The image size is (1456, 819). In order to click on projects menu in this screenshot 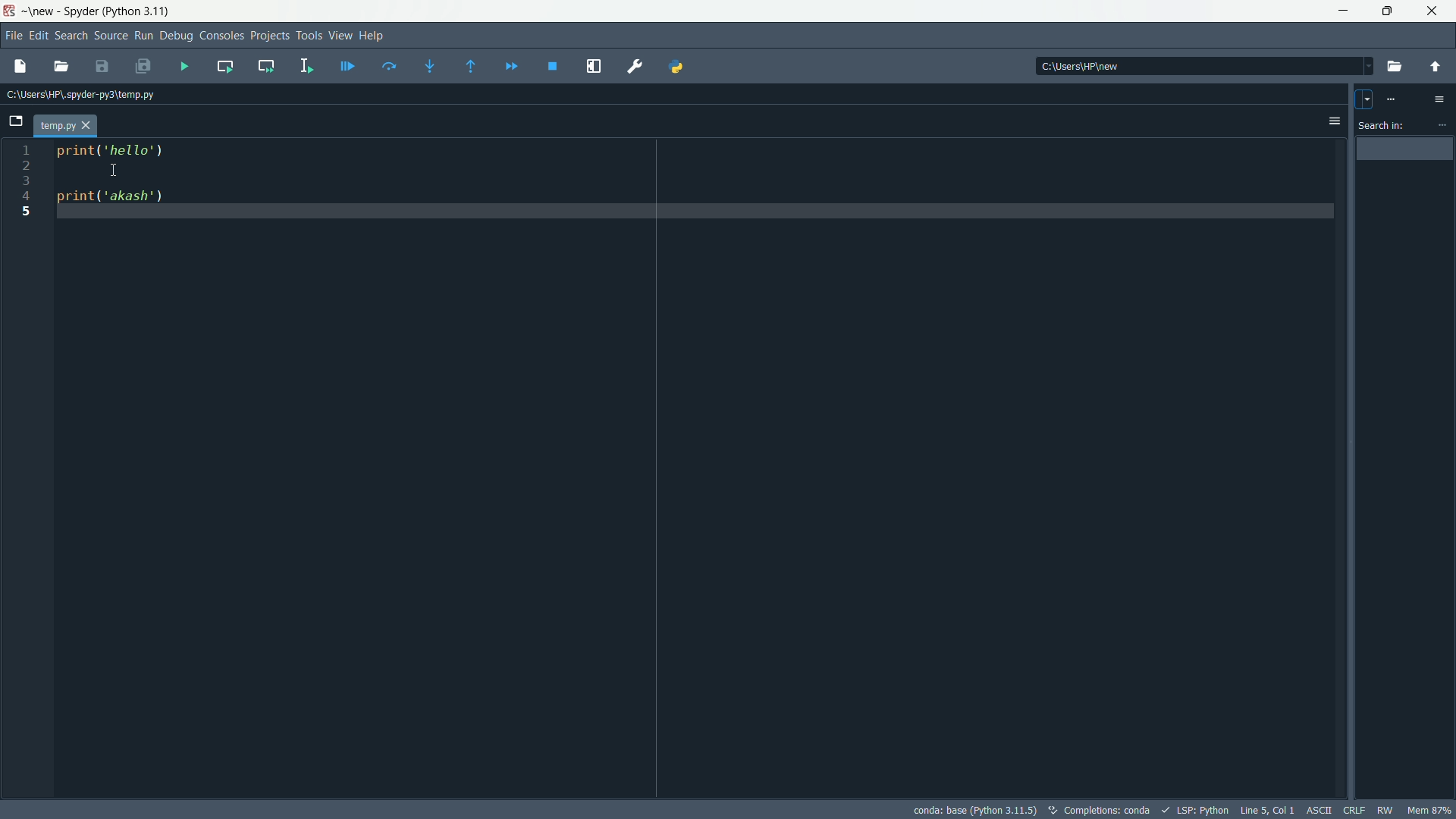, I will do `click(270, 36)`.